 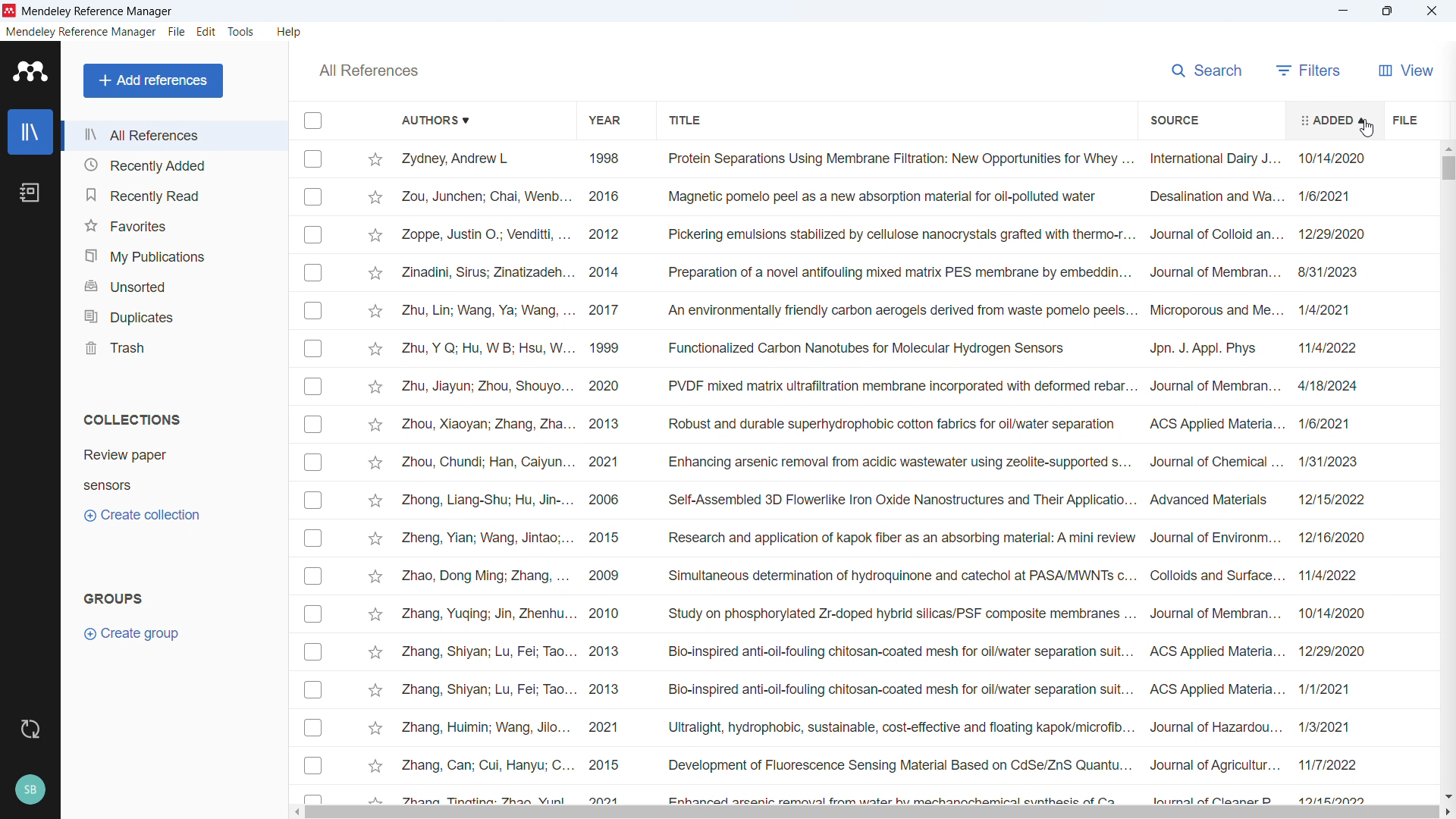 What do you see at coordinates (130, 419) in the screenshot?
I see `Collection ` at bounding box center [130, 419].